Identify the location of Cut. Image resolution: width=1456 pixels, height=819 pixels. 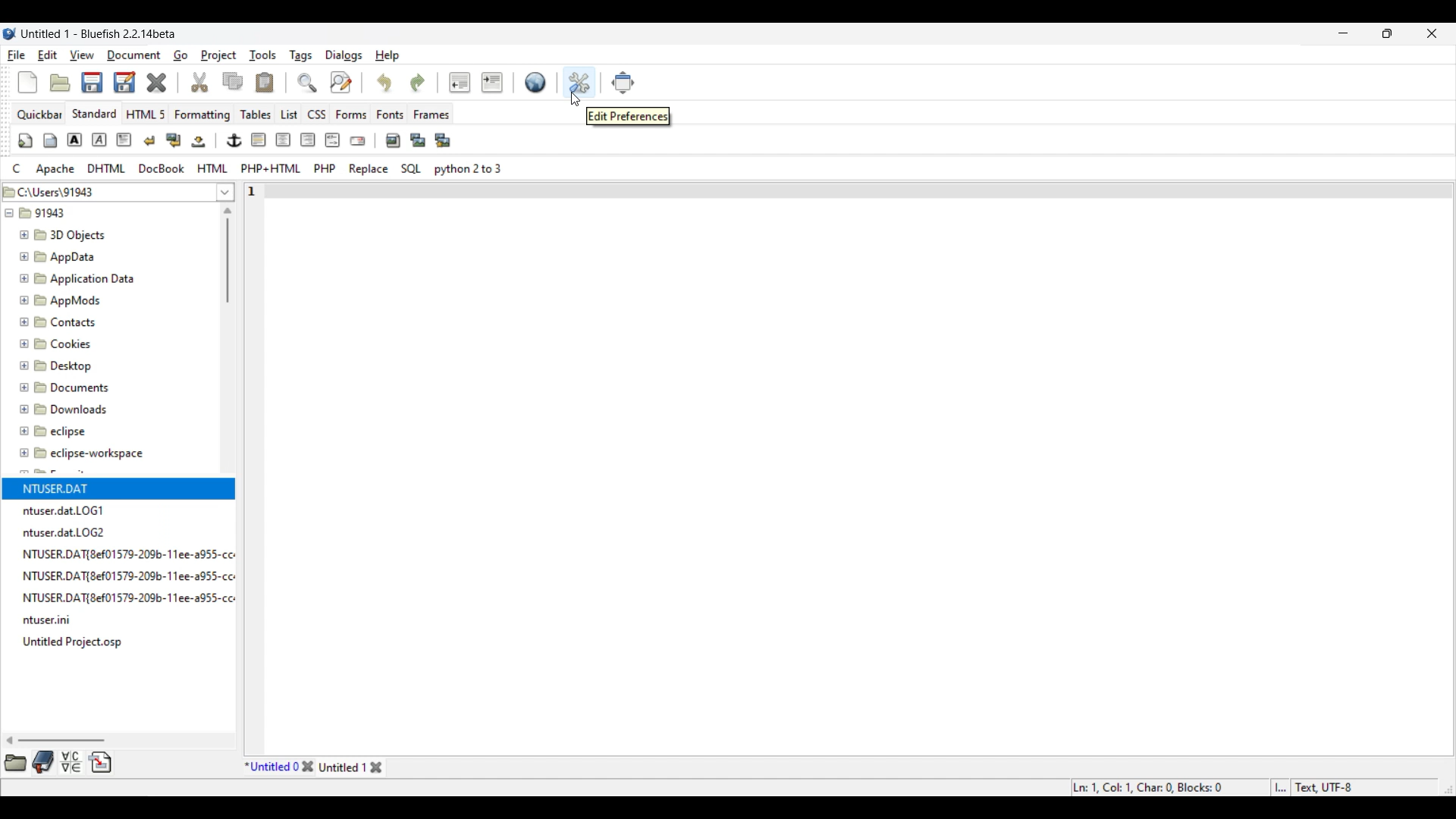
(200, 82).